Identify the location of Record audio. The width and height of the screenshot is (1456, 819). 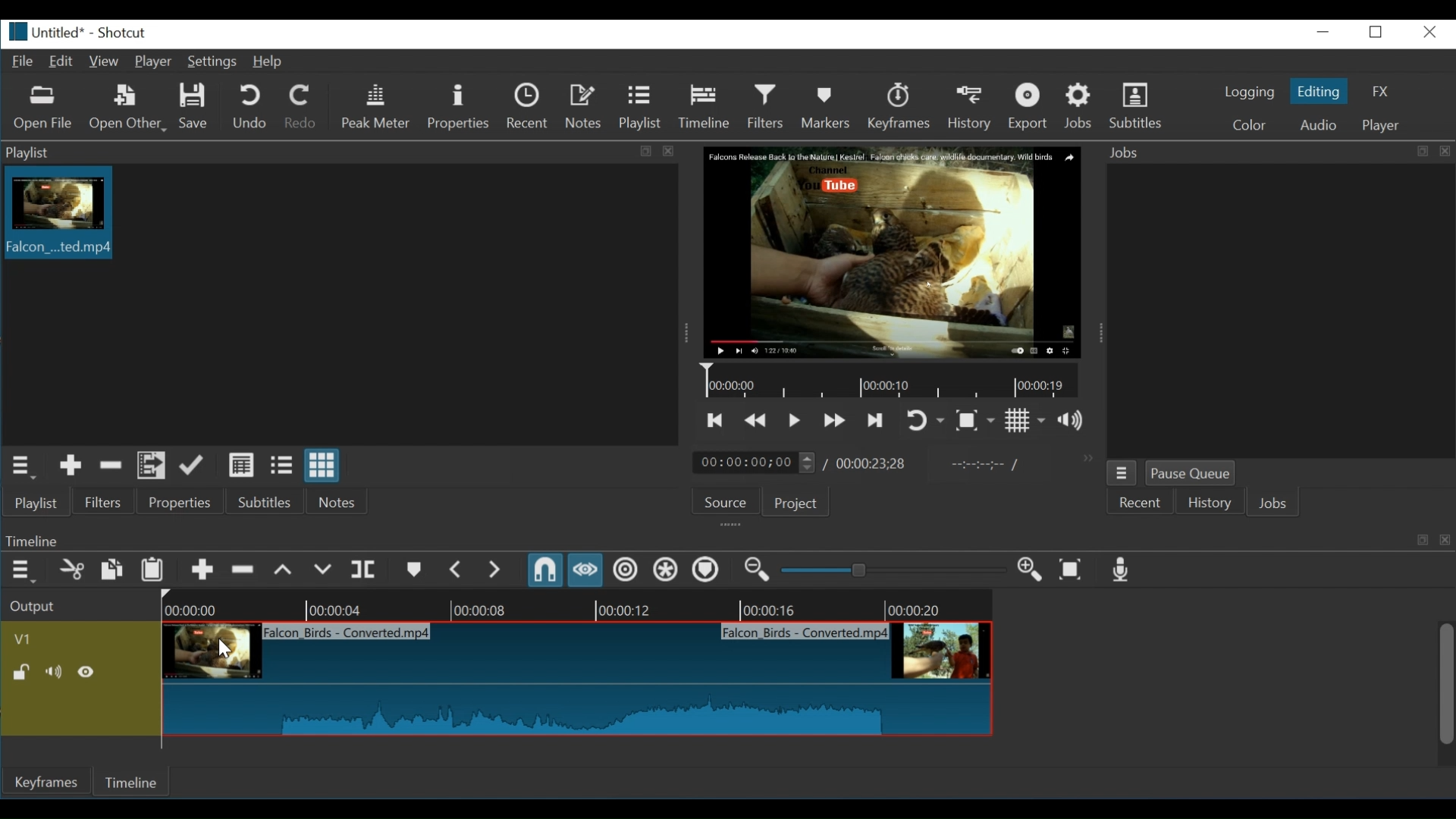
(1118, 570).